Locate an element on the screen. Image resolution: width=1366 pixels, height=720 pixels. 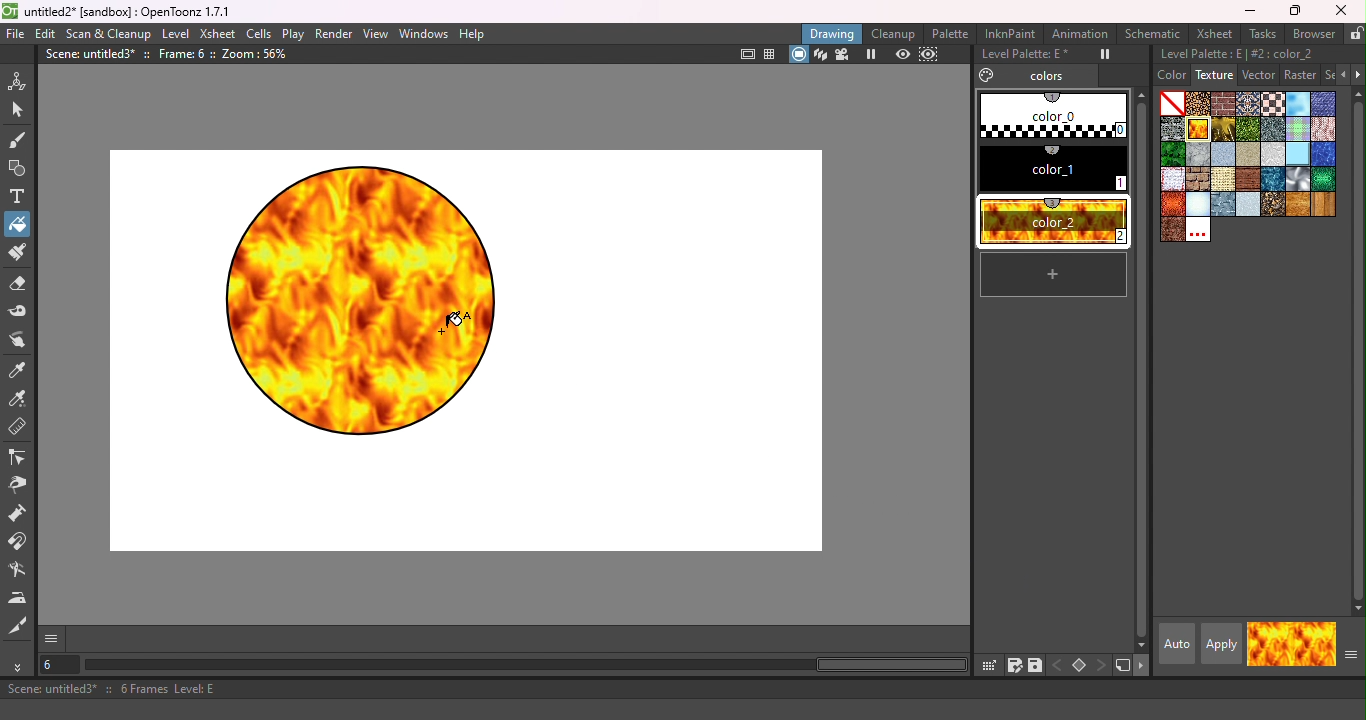
woodgran.bmp is located at coordinates (1298, 204).